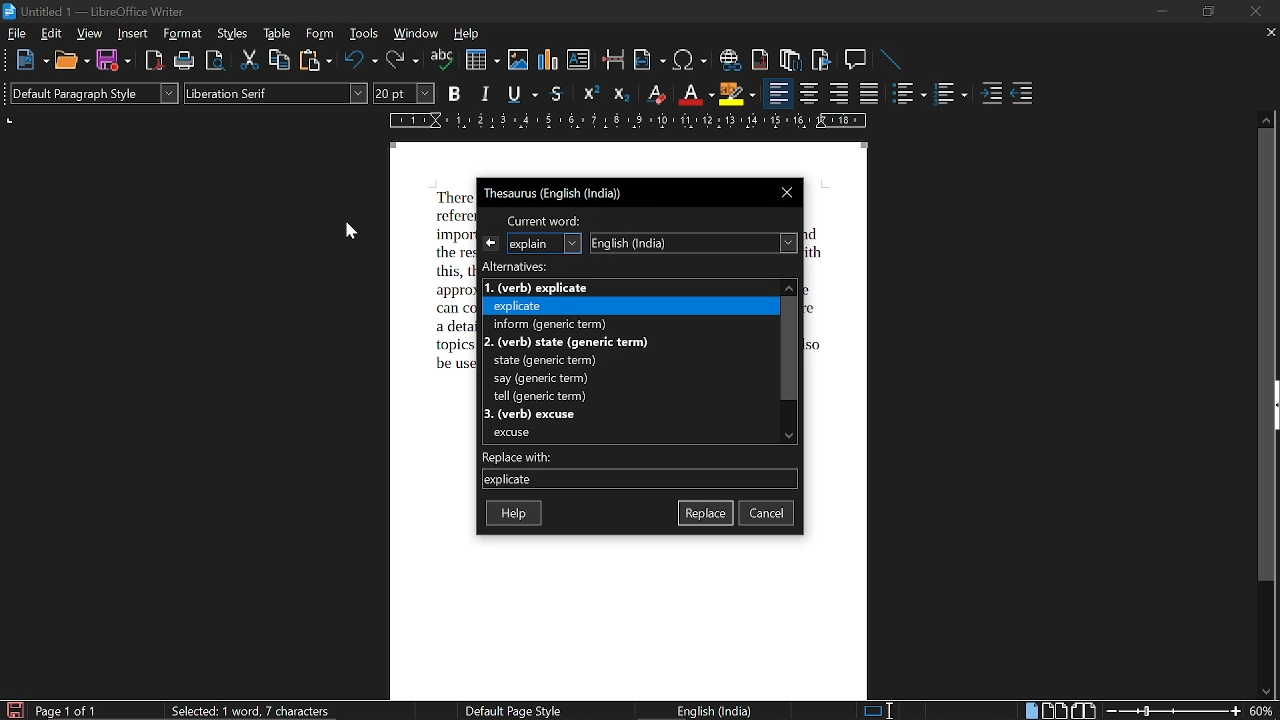 The width and height of the screenshot is (1280, 720). I want to click on tools, so click(365, 34).